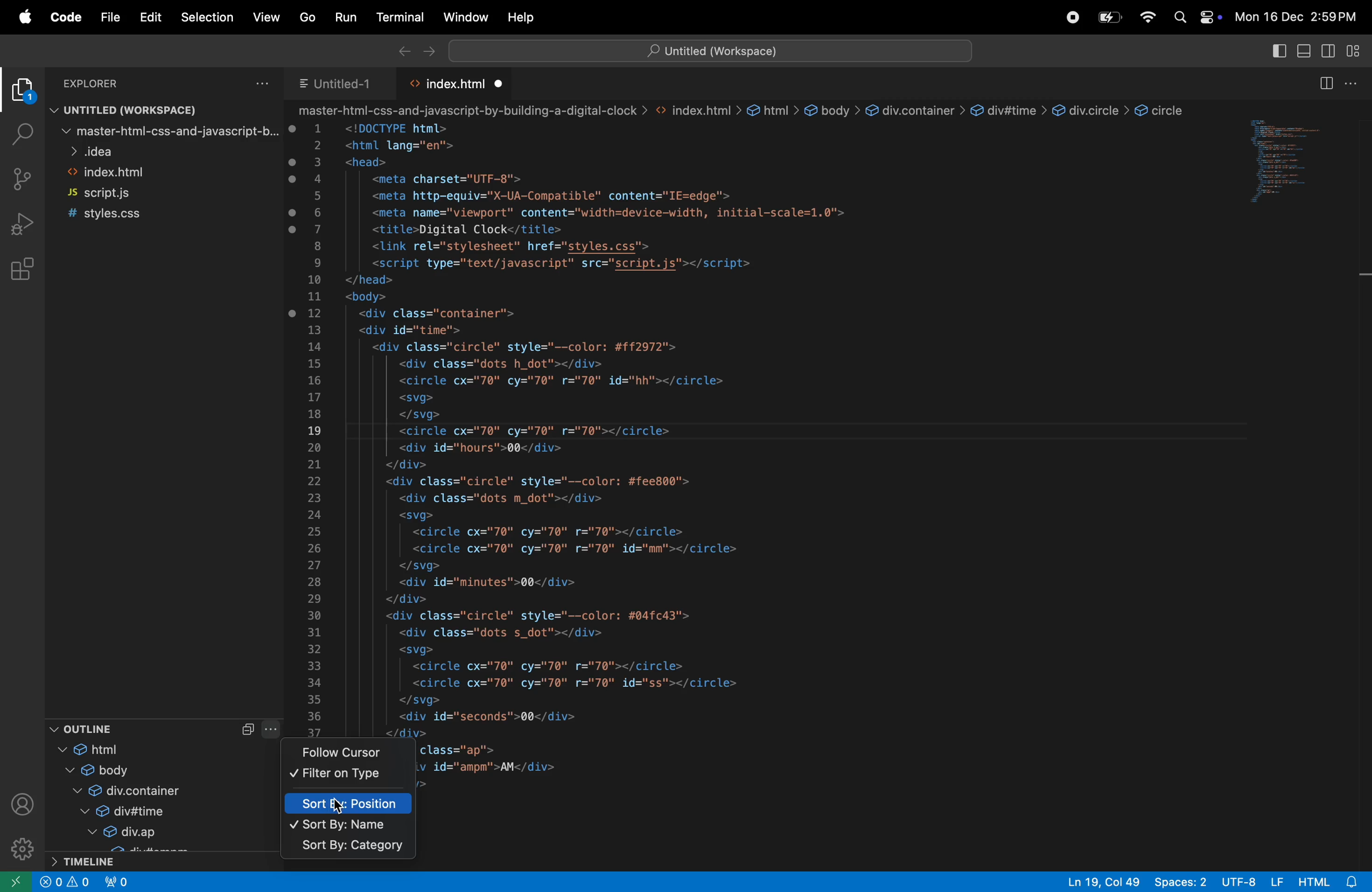  What do you see at coordinates (349, 826) in the screenshot?
I see `sort by name` at bounding box center [349, 826].